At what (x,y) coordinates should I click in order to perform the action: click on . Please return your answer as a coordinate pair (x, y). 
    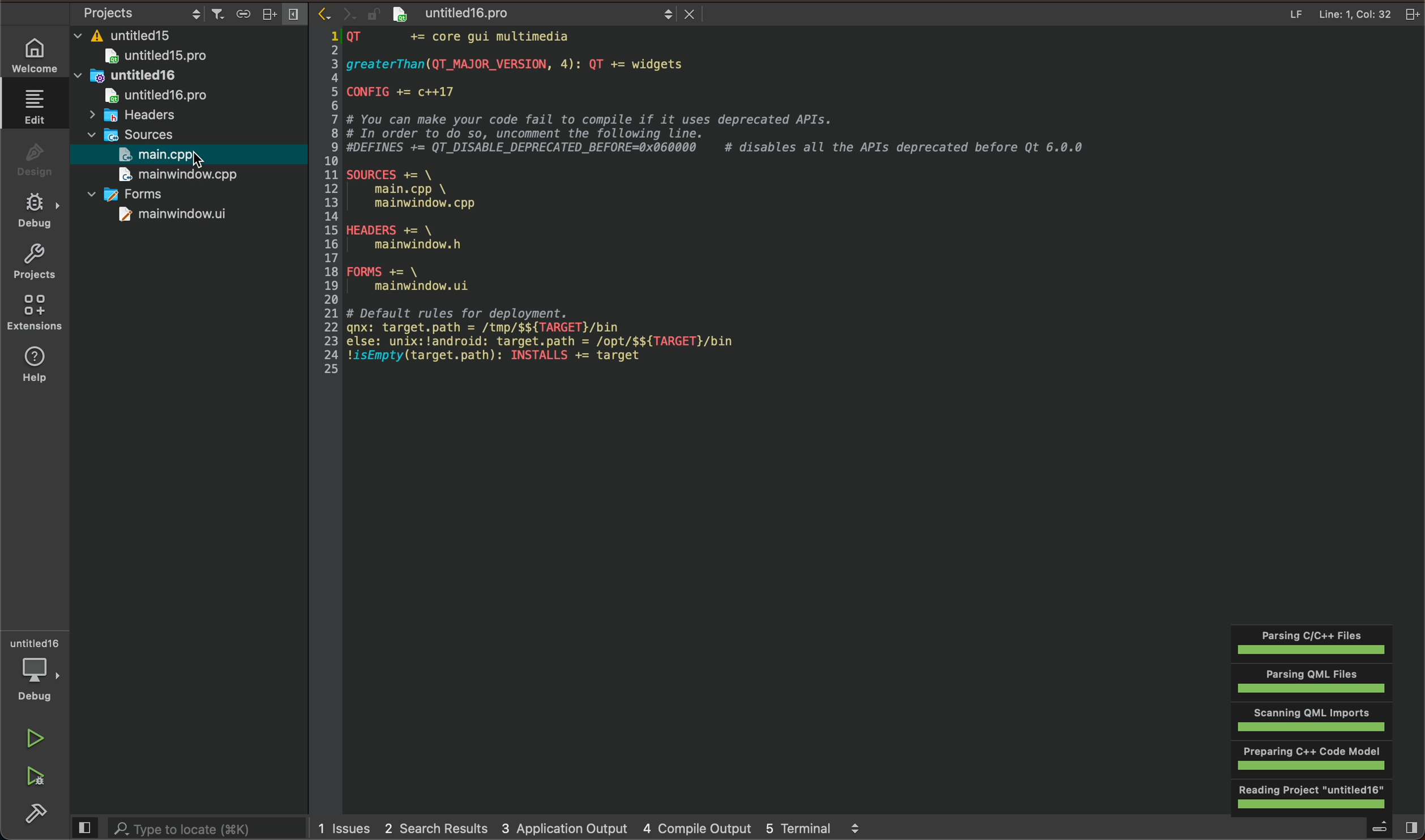
    Looking at the image, I should click on (1312, 719).